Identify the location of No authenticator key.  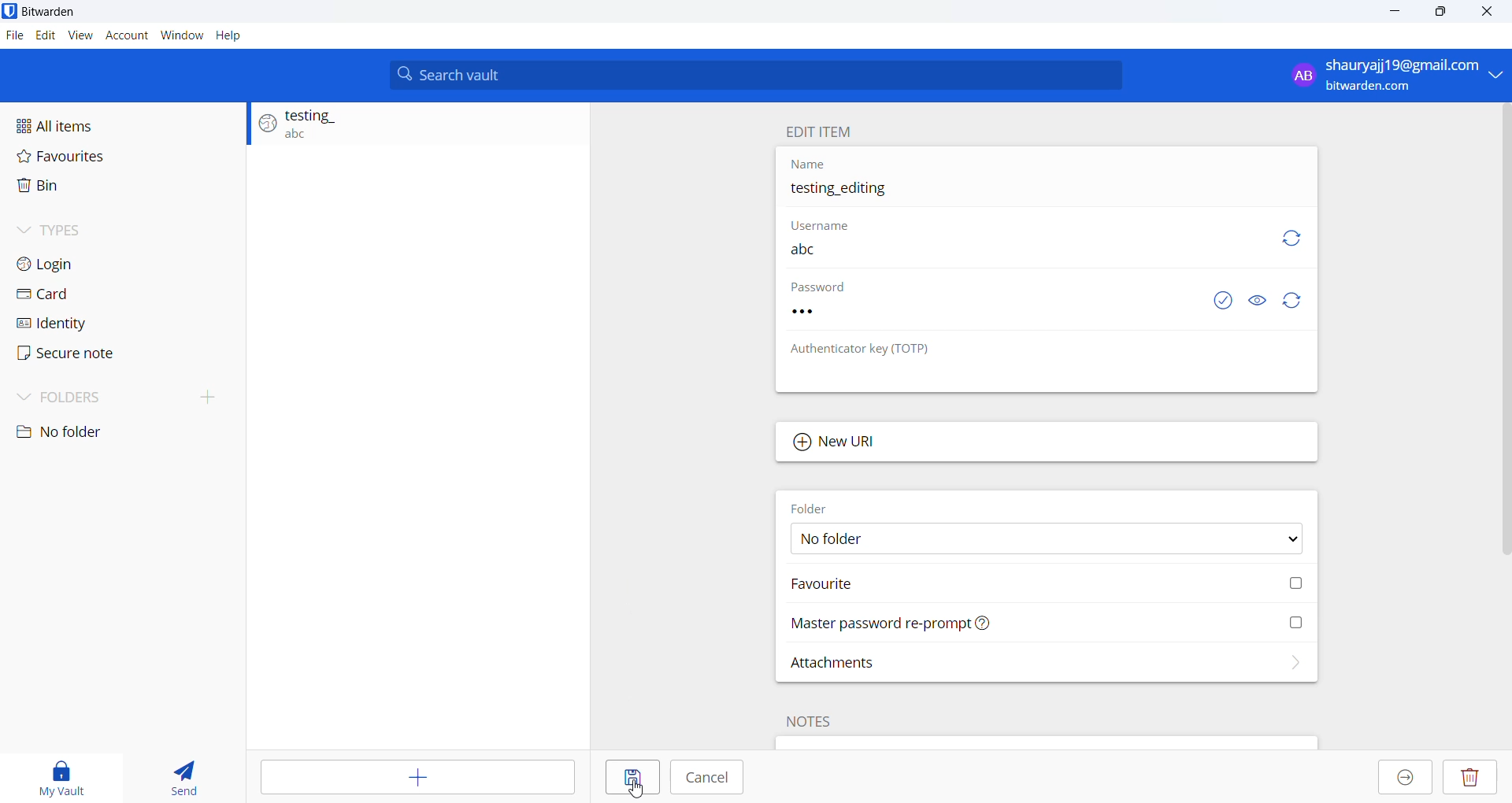
(958, 379).